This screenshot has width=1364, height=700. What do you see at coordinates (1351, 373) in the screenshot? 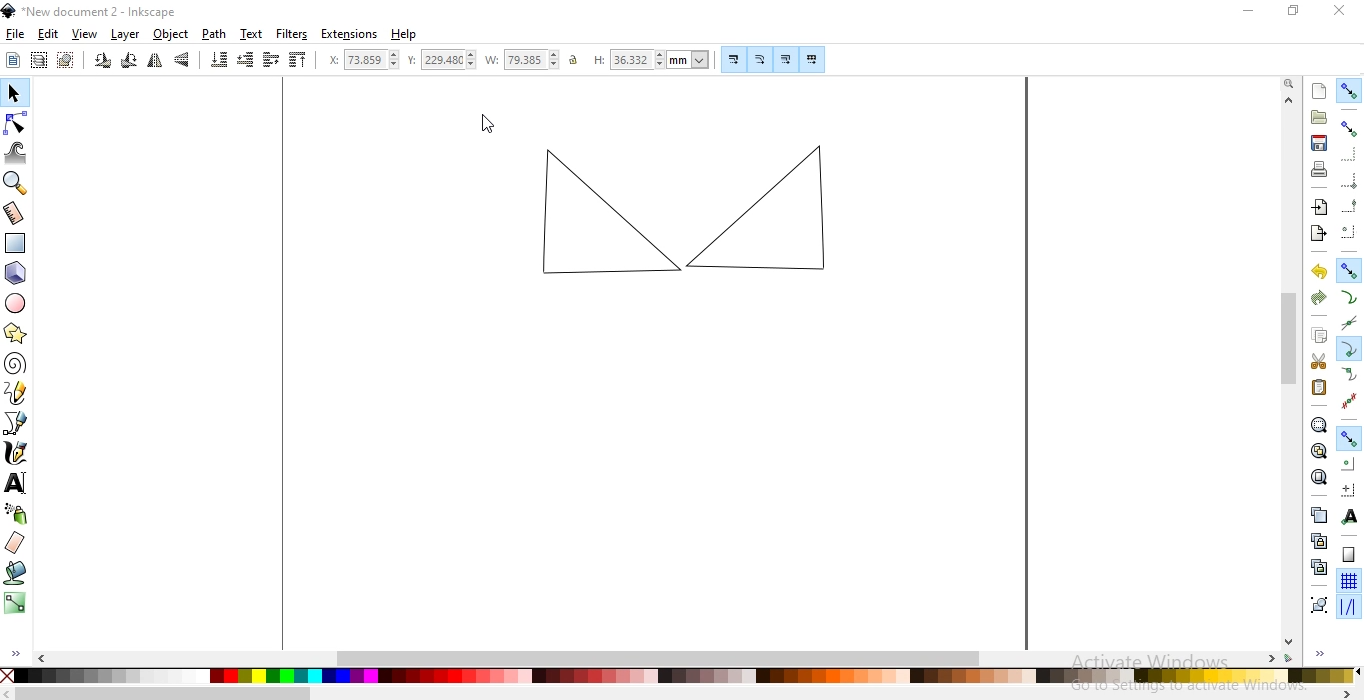
I see `snap smooth nodes` at bounding box center [1351, 373].